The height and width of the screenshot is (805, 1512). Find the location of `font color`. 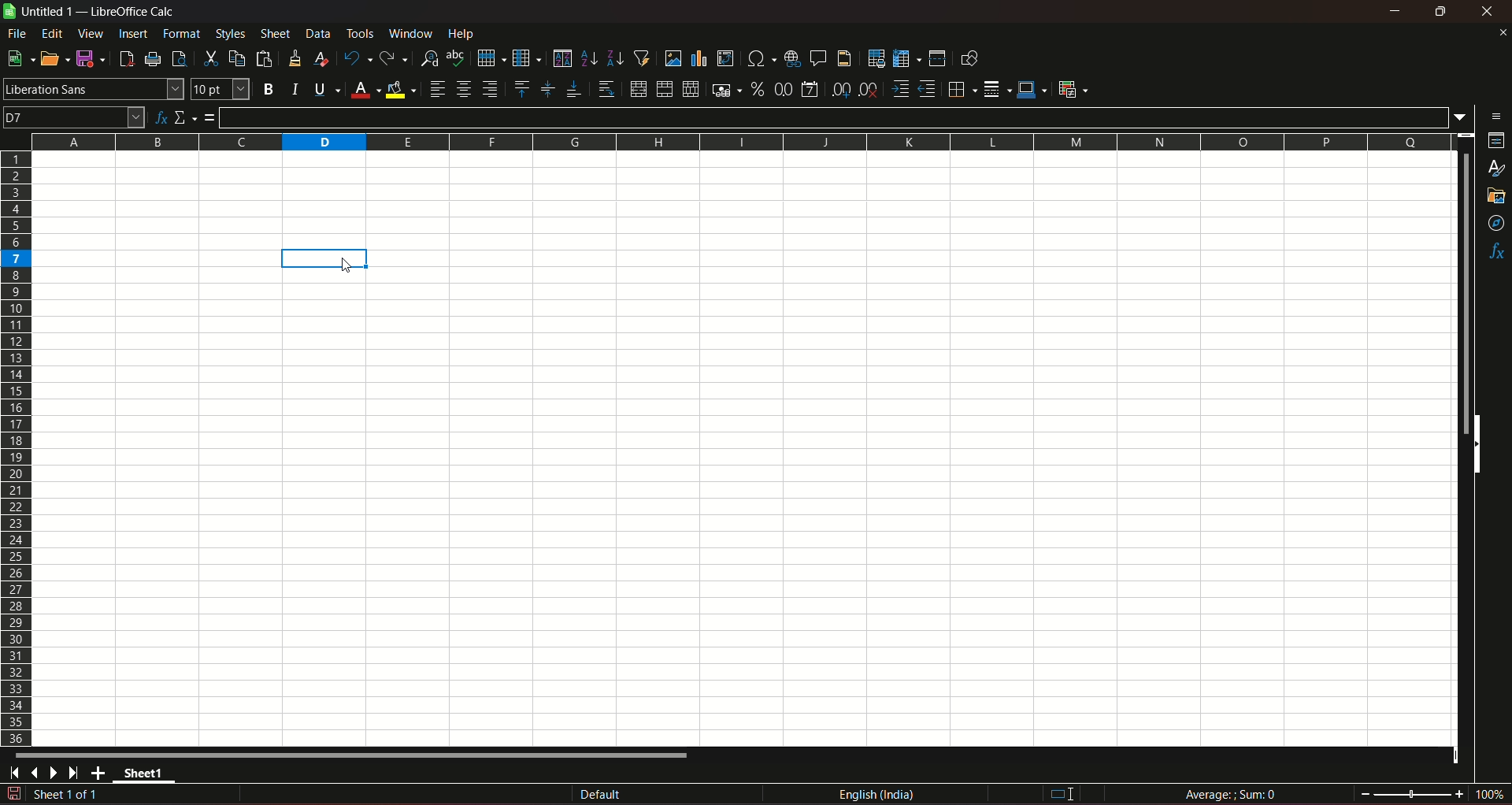

font color is located at coordinates (365, 91).